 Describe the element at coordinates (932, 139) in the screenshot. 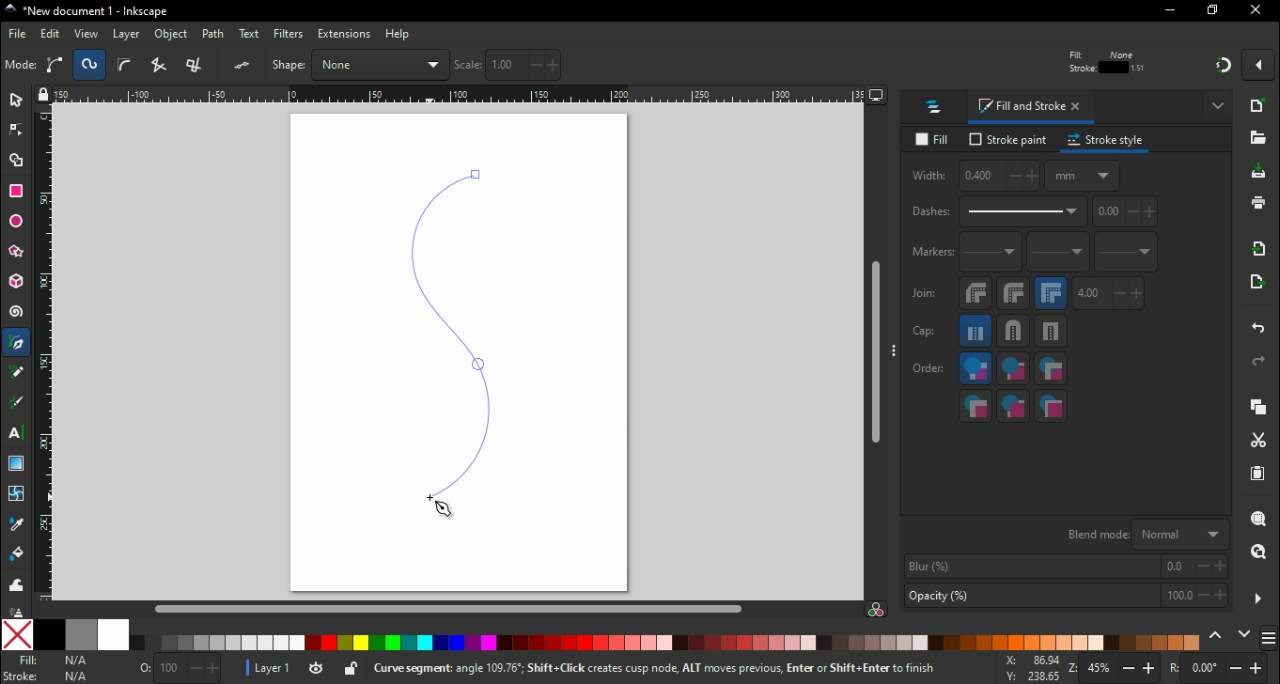

I see `fill` at that location.